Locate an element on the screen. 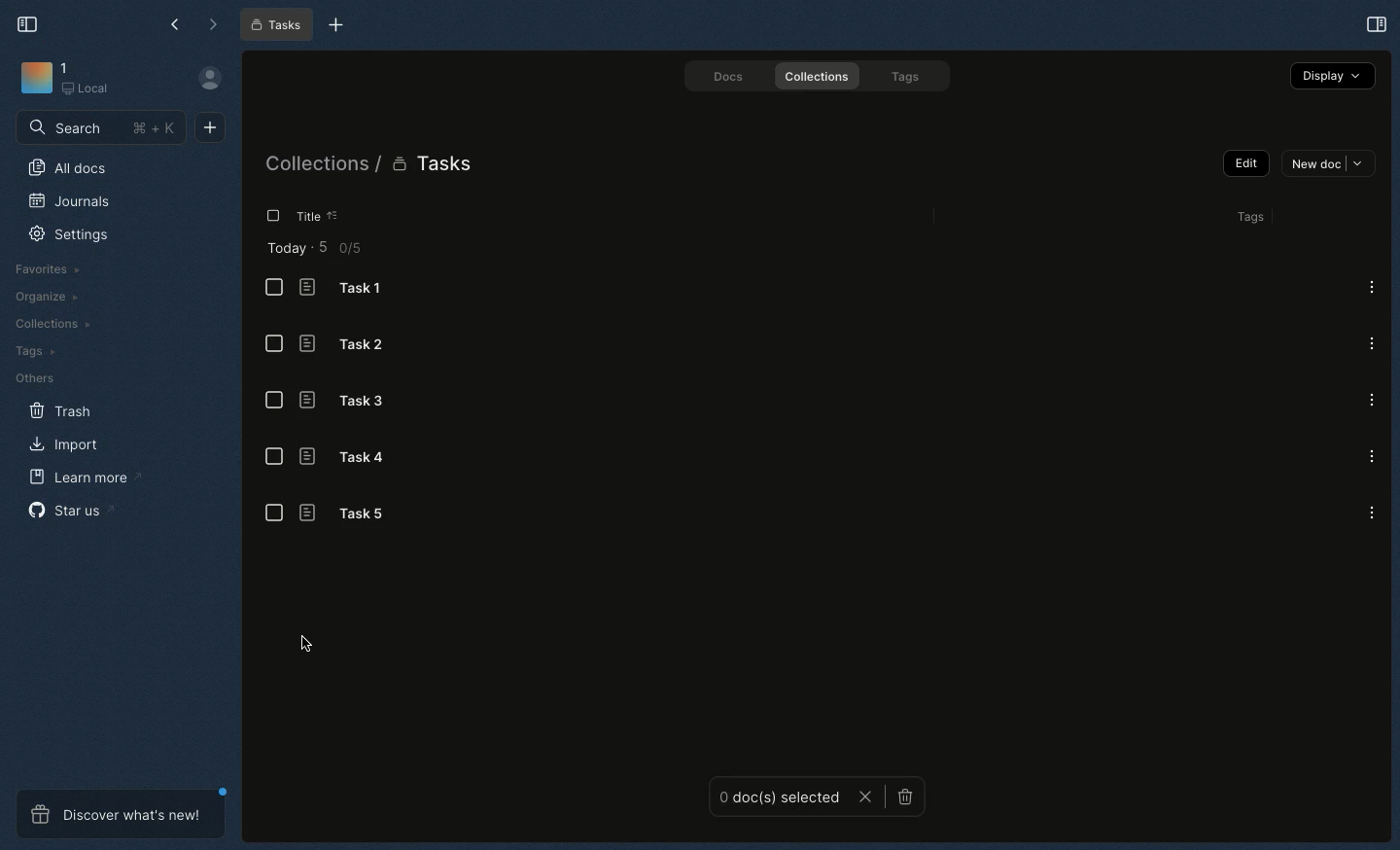  Others is located at coordinates (37, 375).